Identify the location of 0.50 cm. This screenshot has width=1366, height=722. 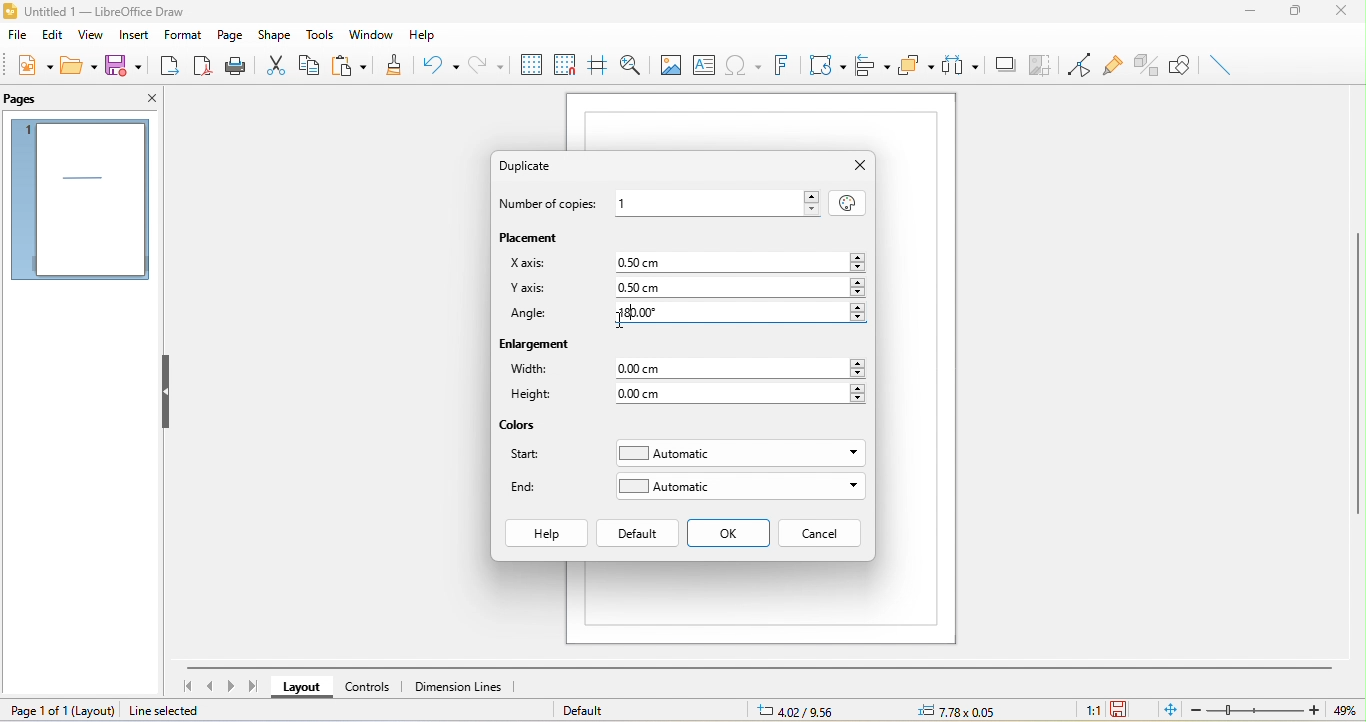
(739, 288).